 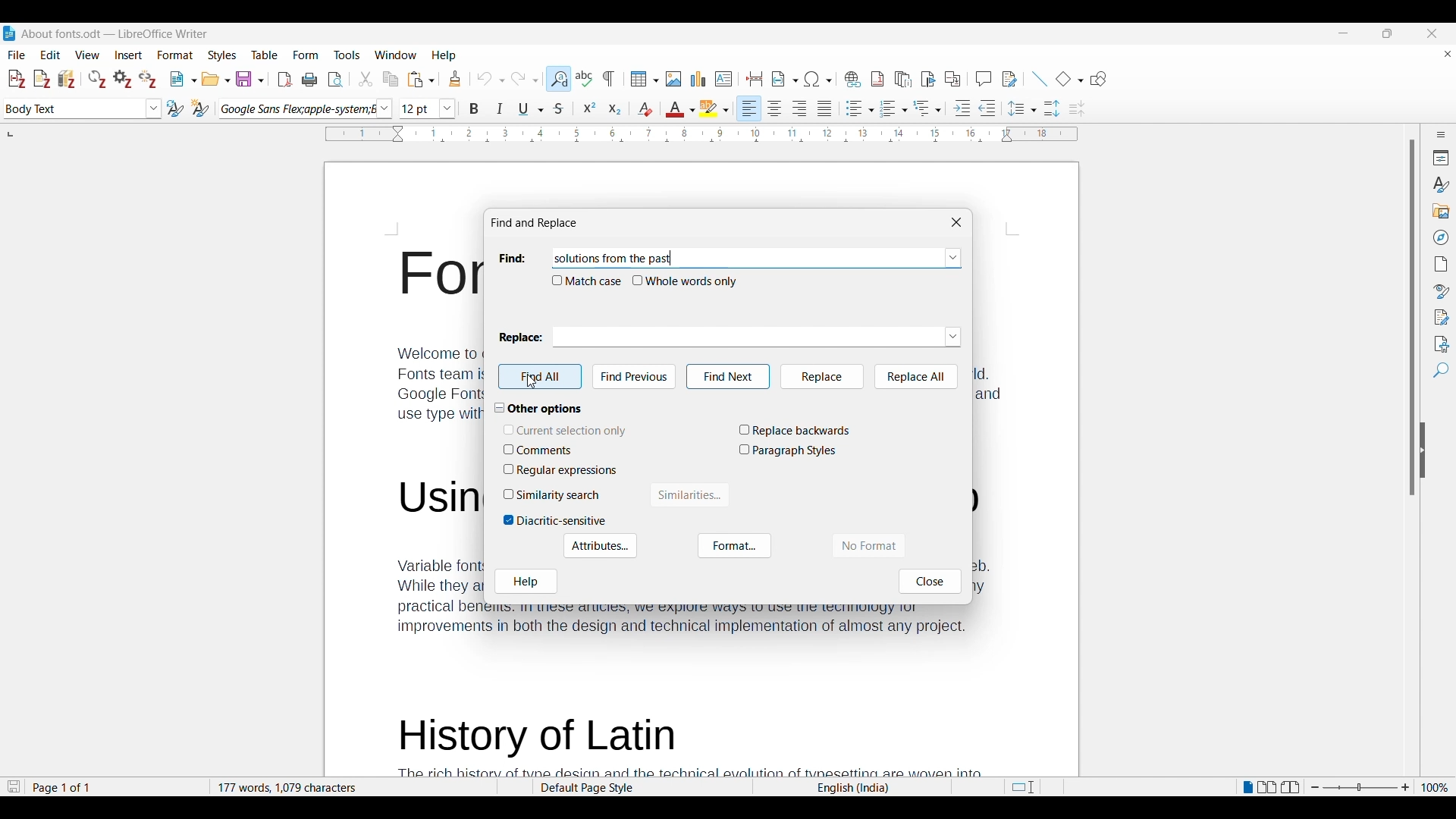 I want to click on Book view, so click(x=1290, y=787).